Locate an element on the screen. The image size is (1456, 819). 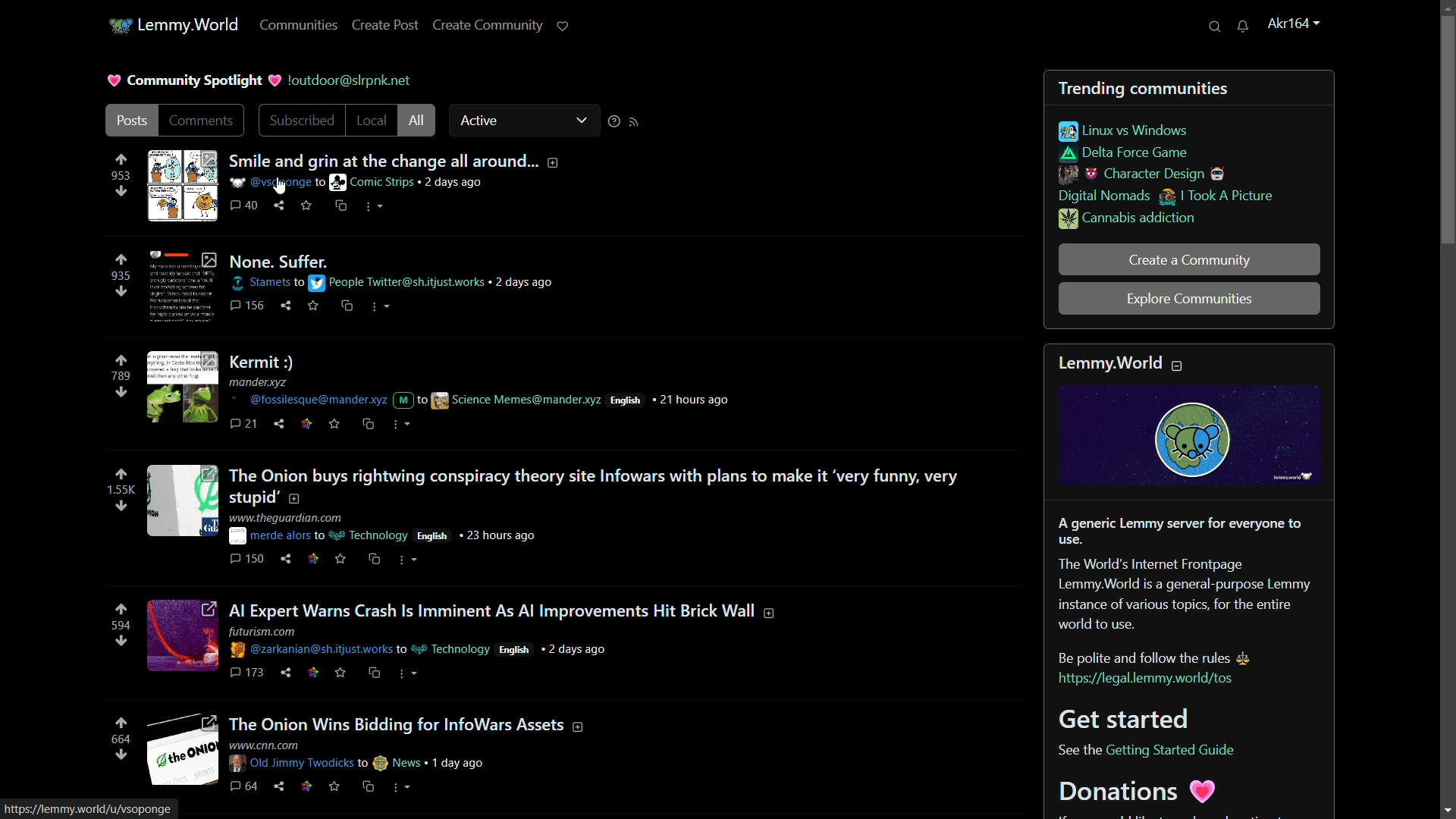
vertical scroll bar is located at coordinates (1442, 132).